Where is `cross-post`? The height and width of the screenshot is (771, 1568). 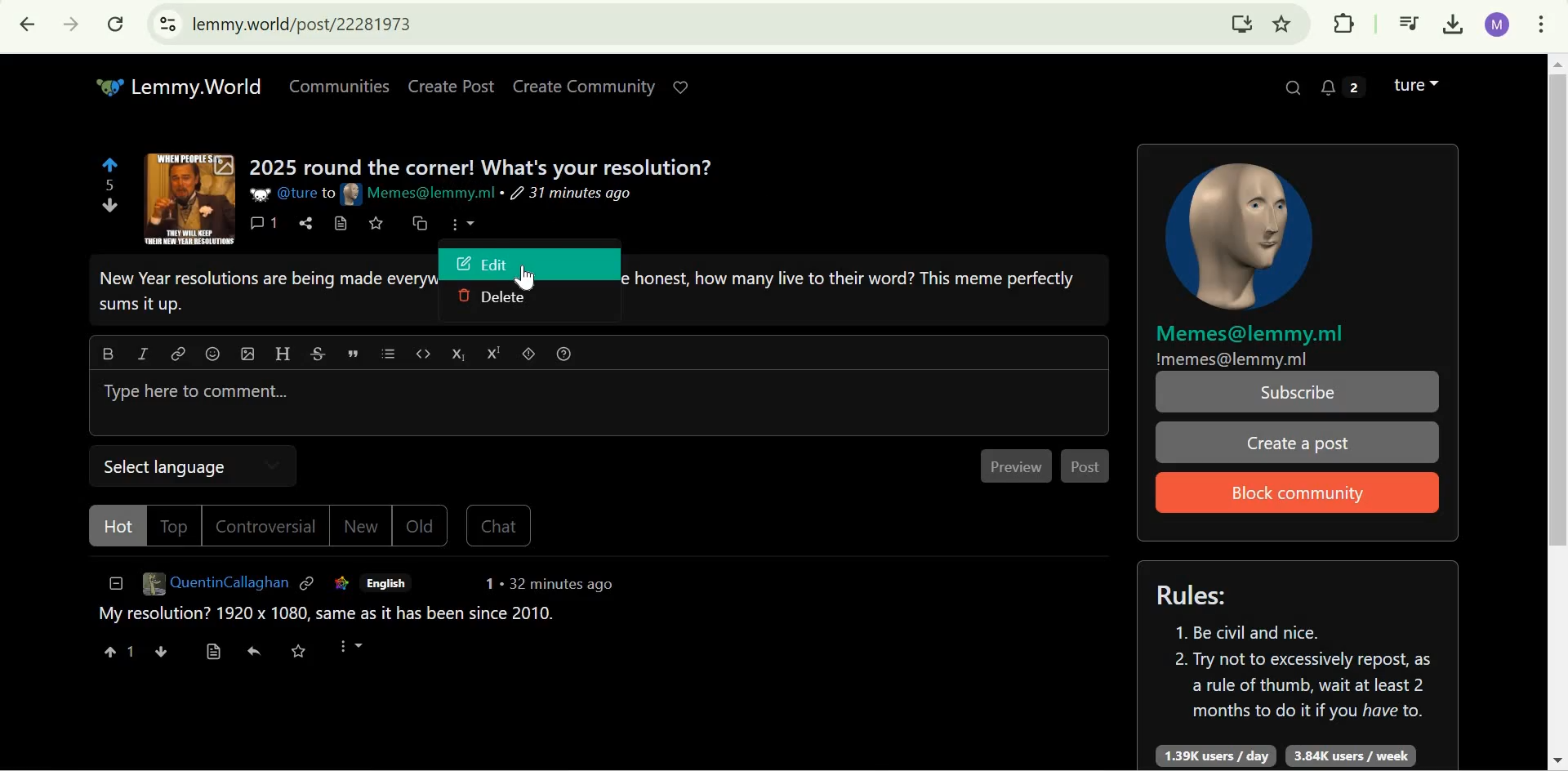 cross-post is located at coordinates (418, 222).